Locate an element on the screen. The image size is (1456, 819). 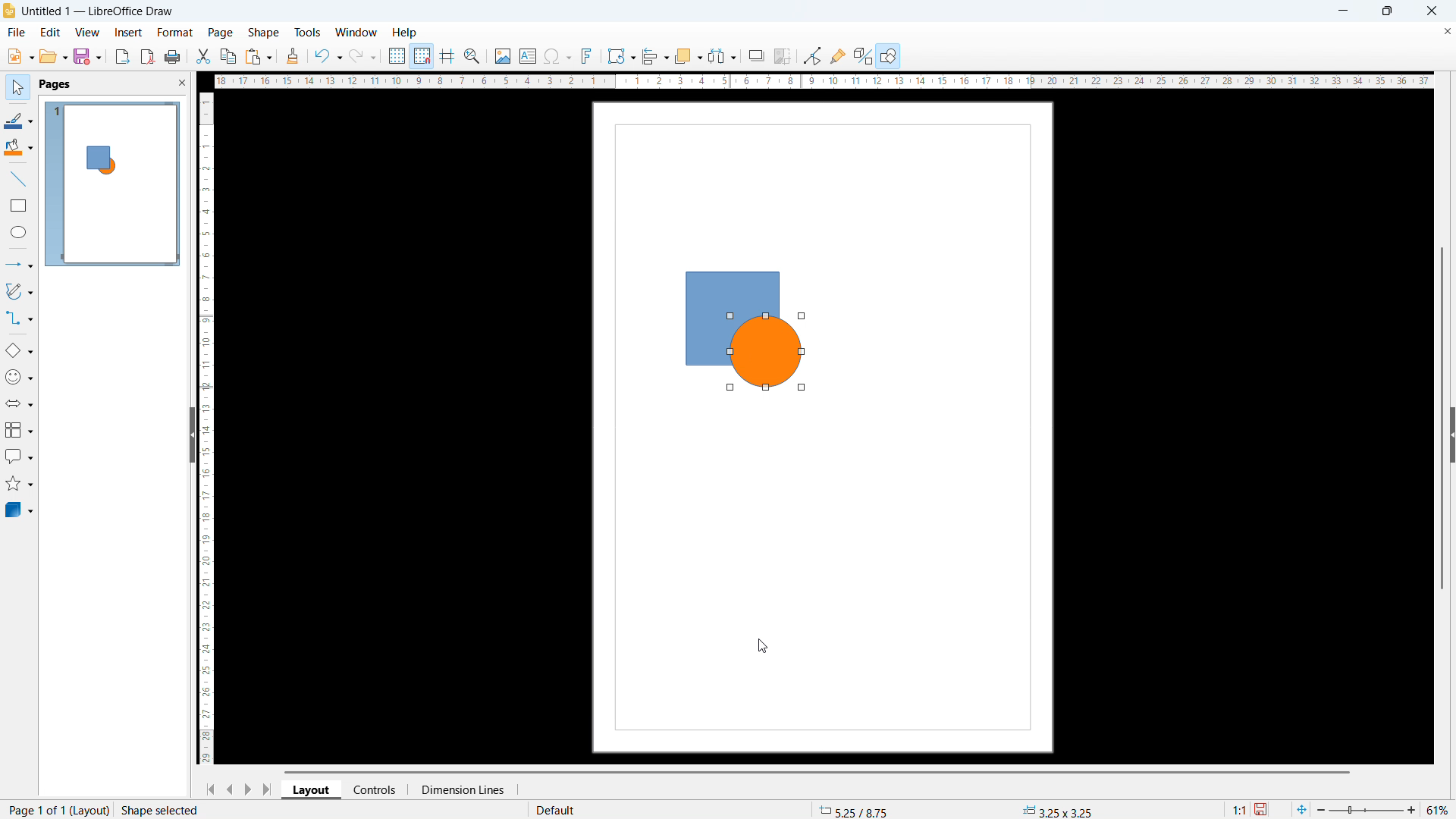
open is located at coordinates (53, 57).